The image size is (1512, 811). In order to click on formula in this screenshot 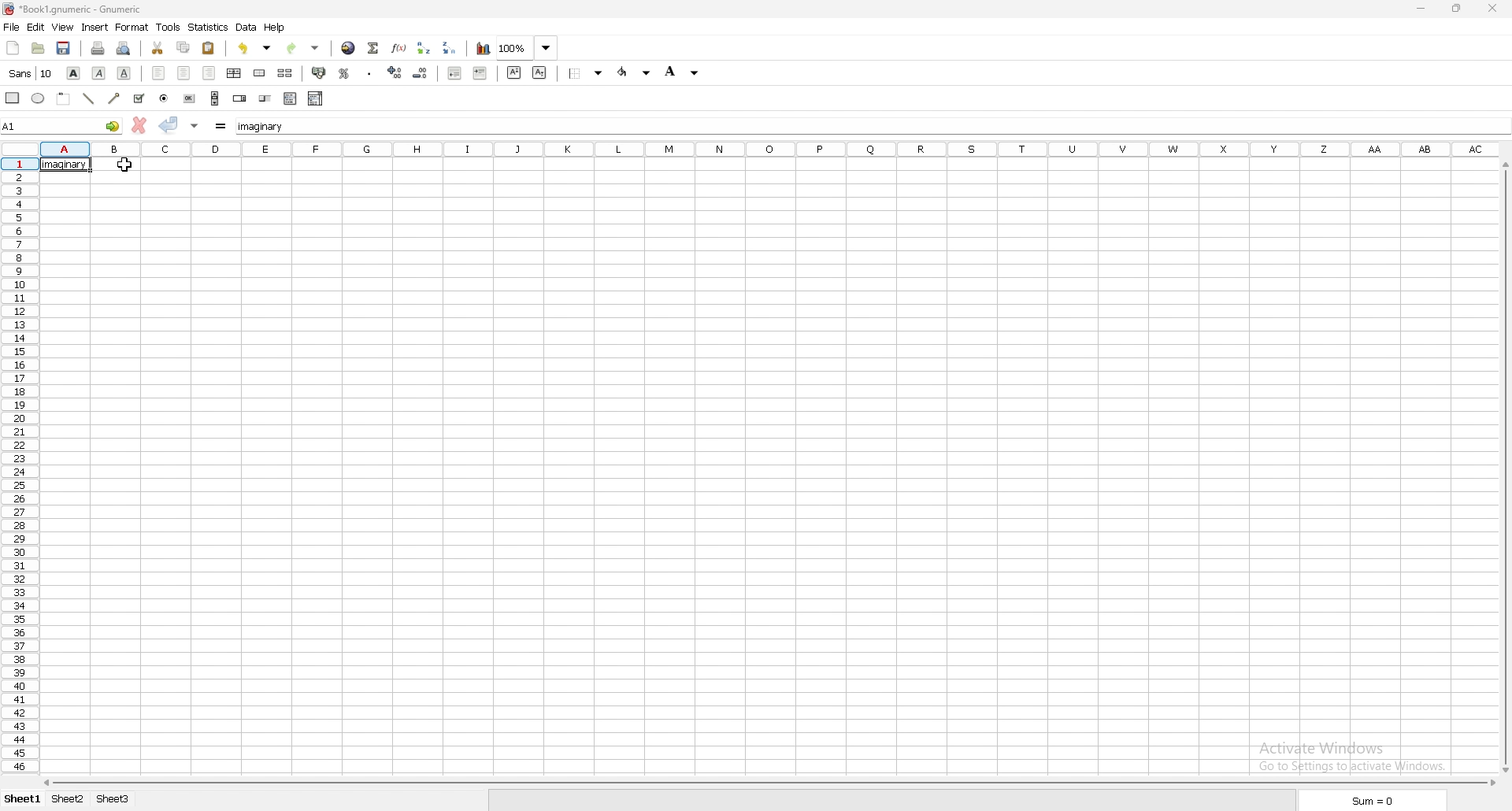, I will do `click(222, 125)`.